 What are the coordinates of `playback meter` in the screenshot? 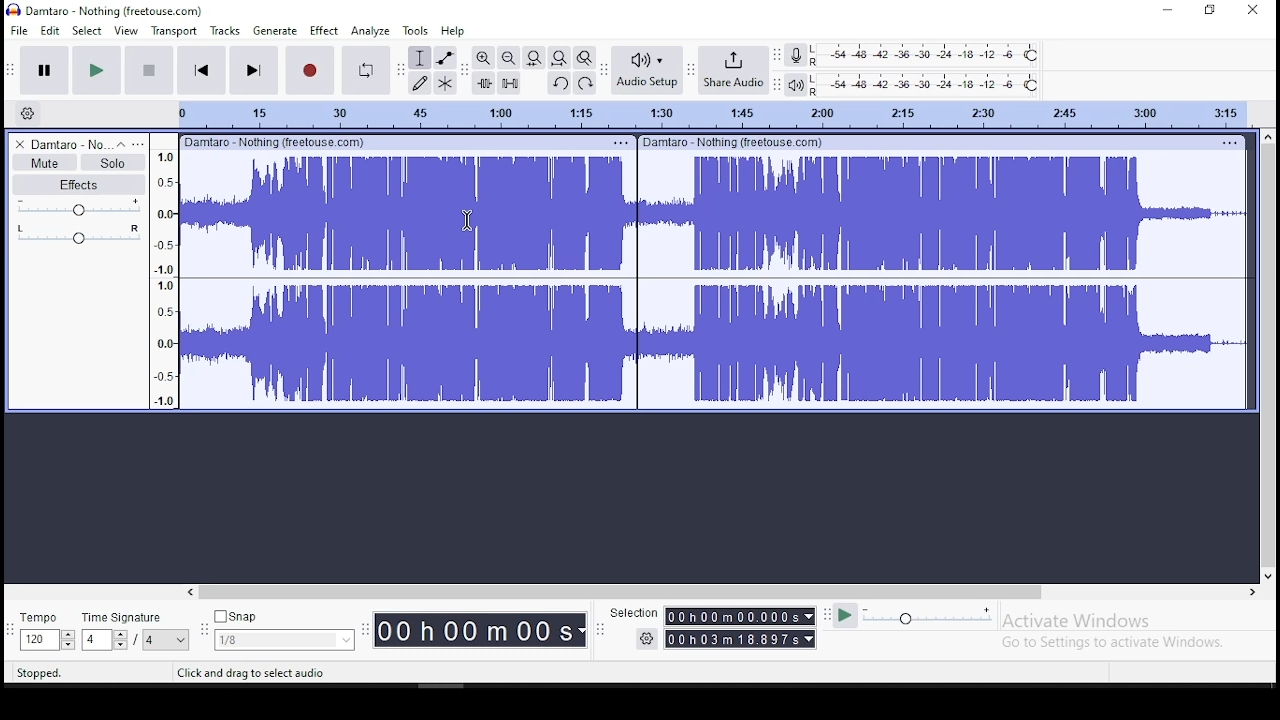 It's located at (794, 84).